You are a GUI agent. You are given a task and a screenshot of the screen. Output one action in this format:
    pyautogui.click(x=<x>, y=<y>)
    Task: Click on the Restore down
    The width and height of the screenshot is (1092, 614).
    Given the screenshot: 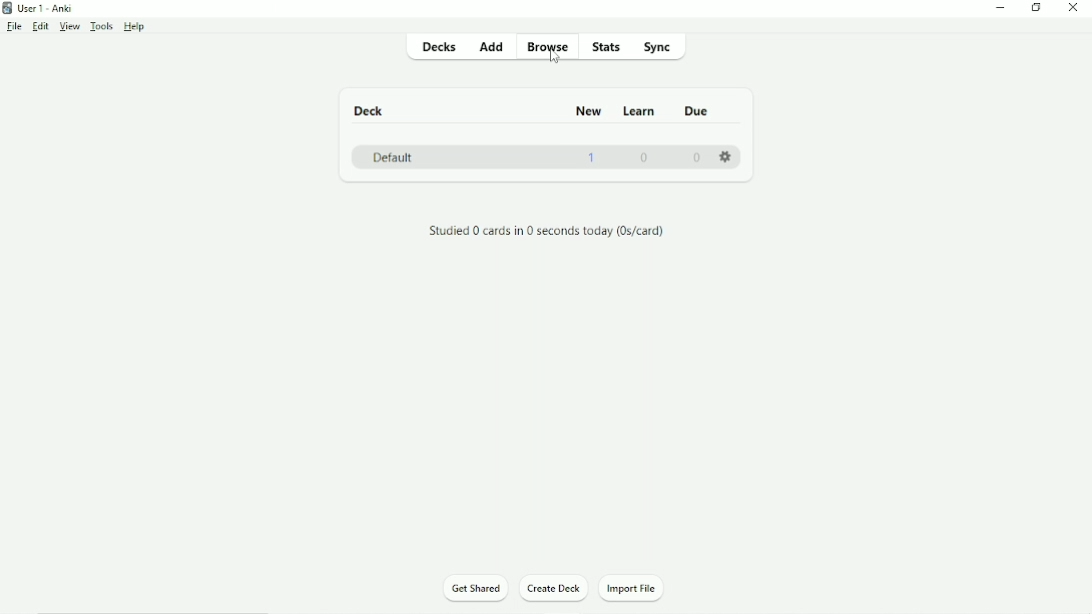 What is the action you would take?
    pyautogui.click(x=1037, y=7)
    